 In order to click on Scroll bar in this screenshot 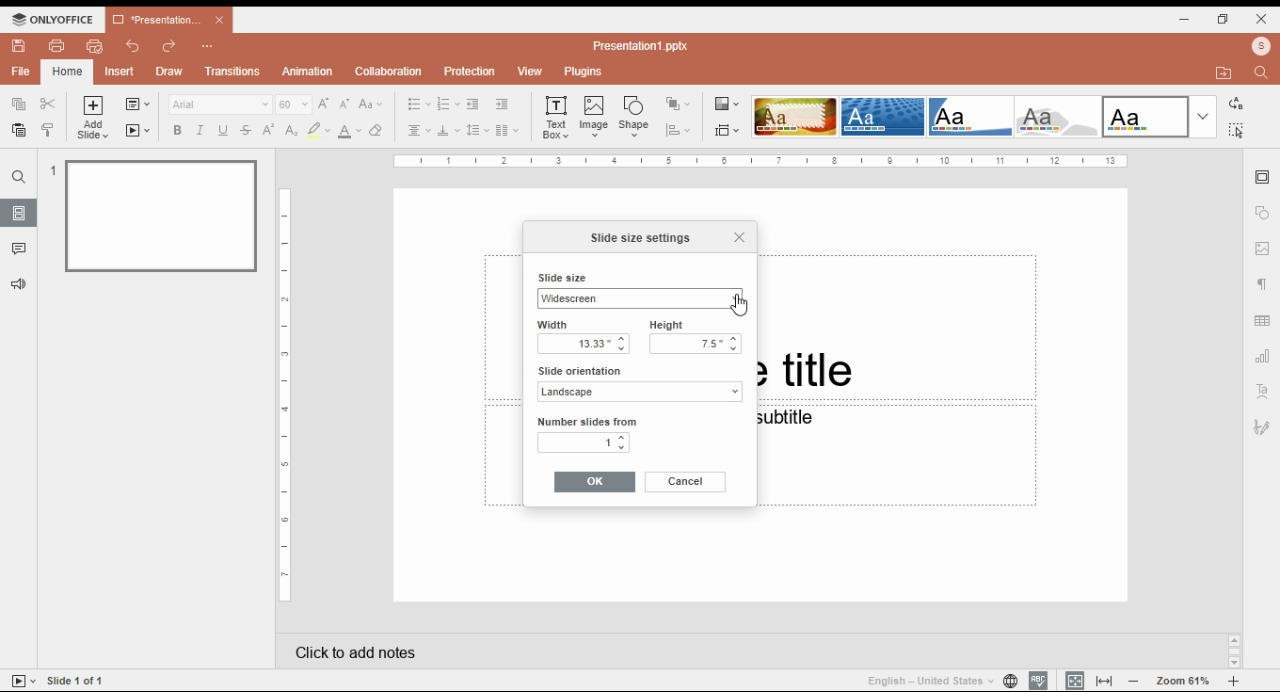, I will do `click(1234, 650)`.